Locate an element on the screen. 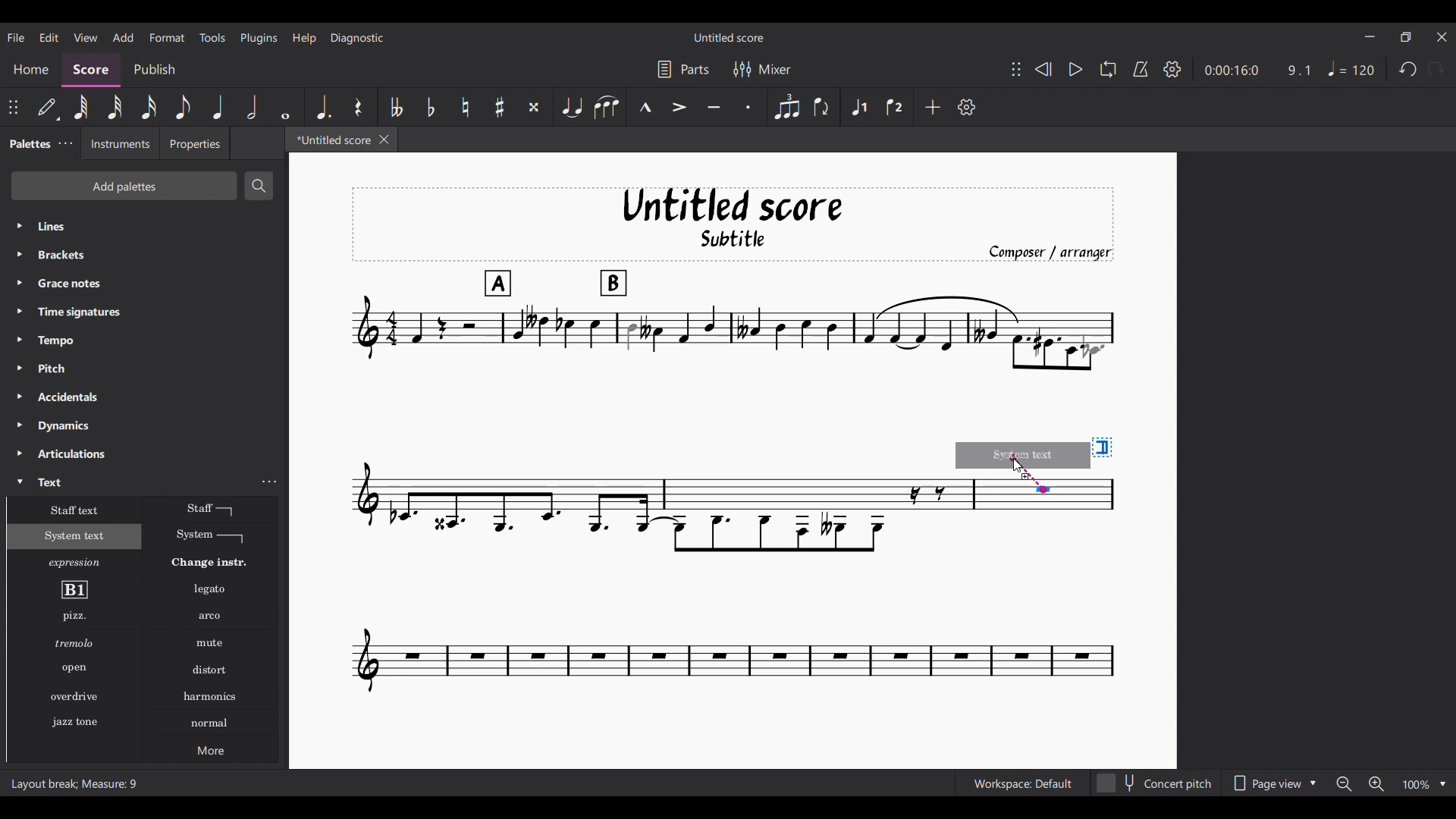 This screenshot has width=1456, height=819. File menu is located at coordinates (16, 37).